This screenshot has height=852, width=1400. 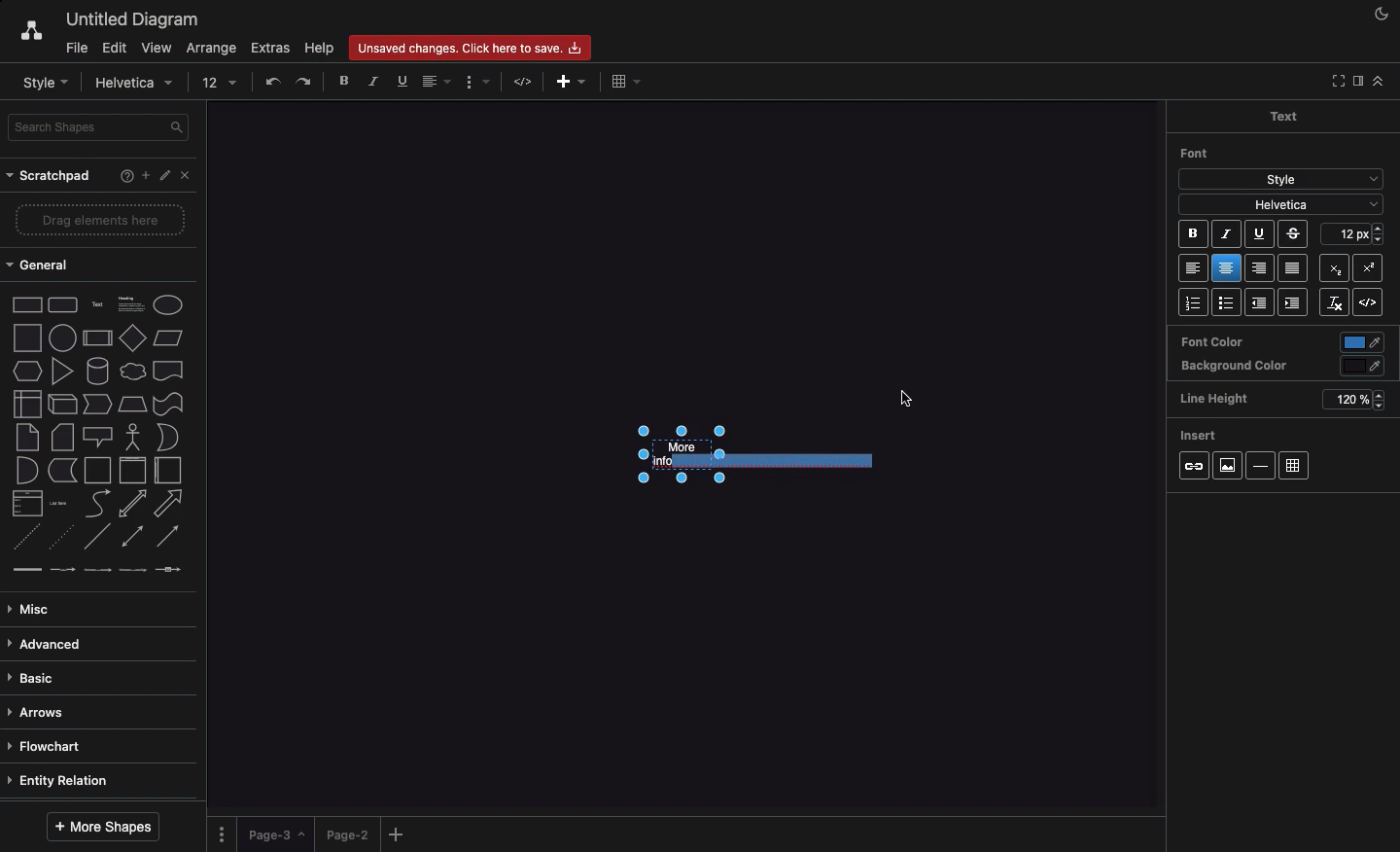 I want to click on arrow, so click(x=169, y=504).